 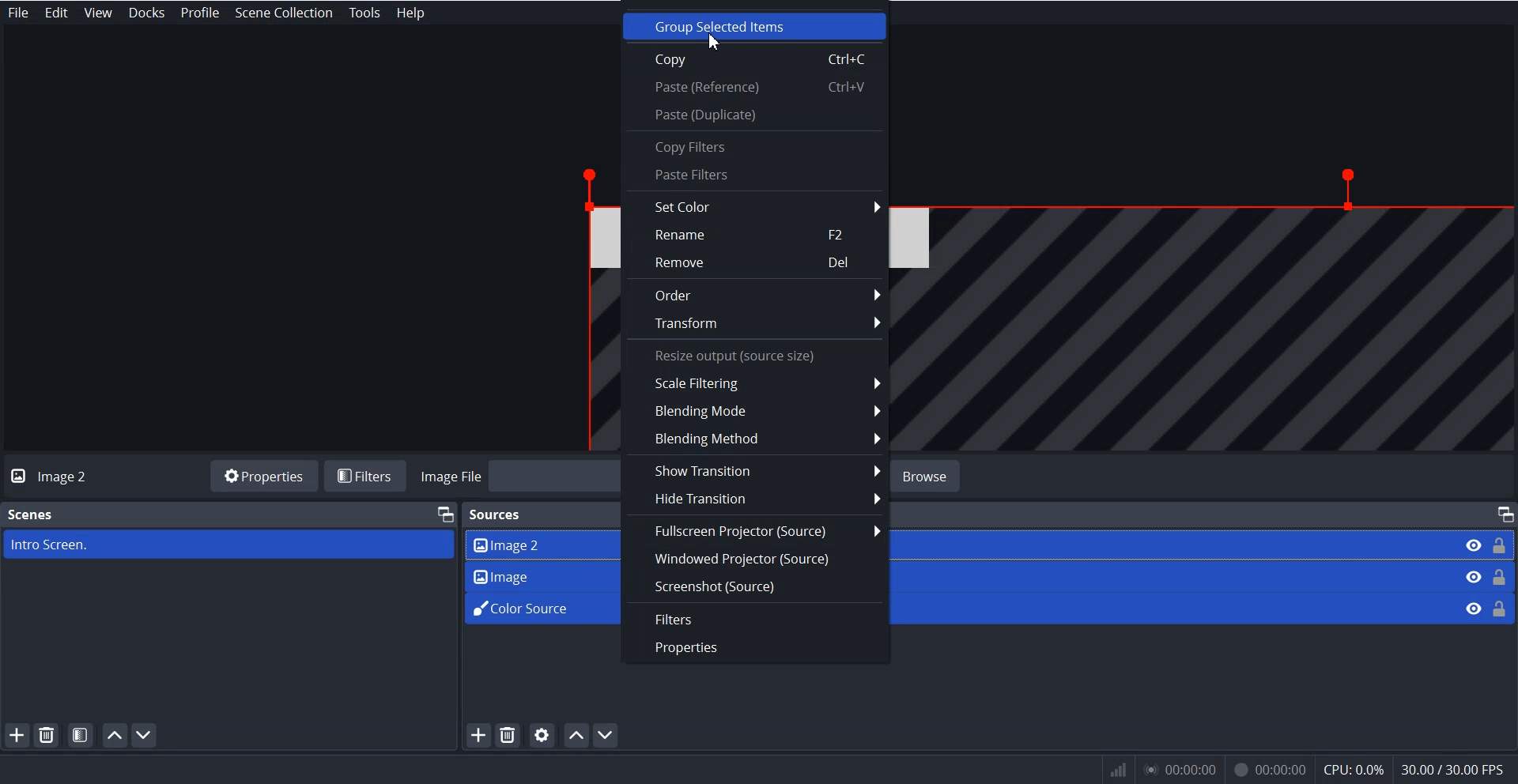 What do you see at coordinates (537, 544) in the screenshot?
I see `Image 2` at bounding box center [537, 544].